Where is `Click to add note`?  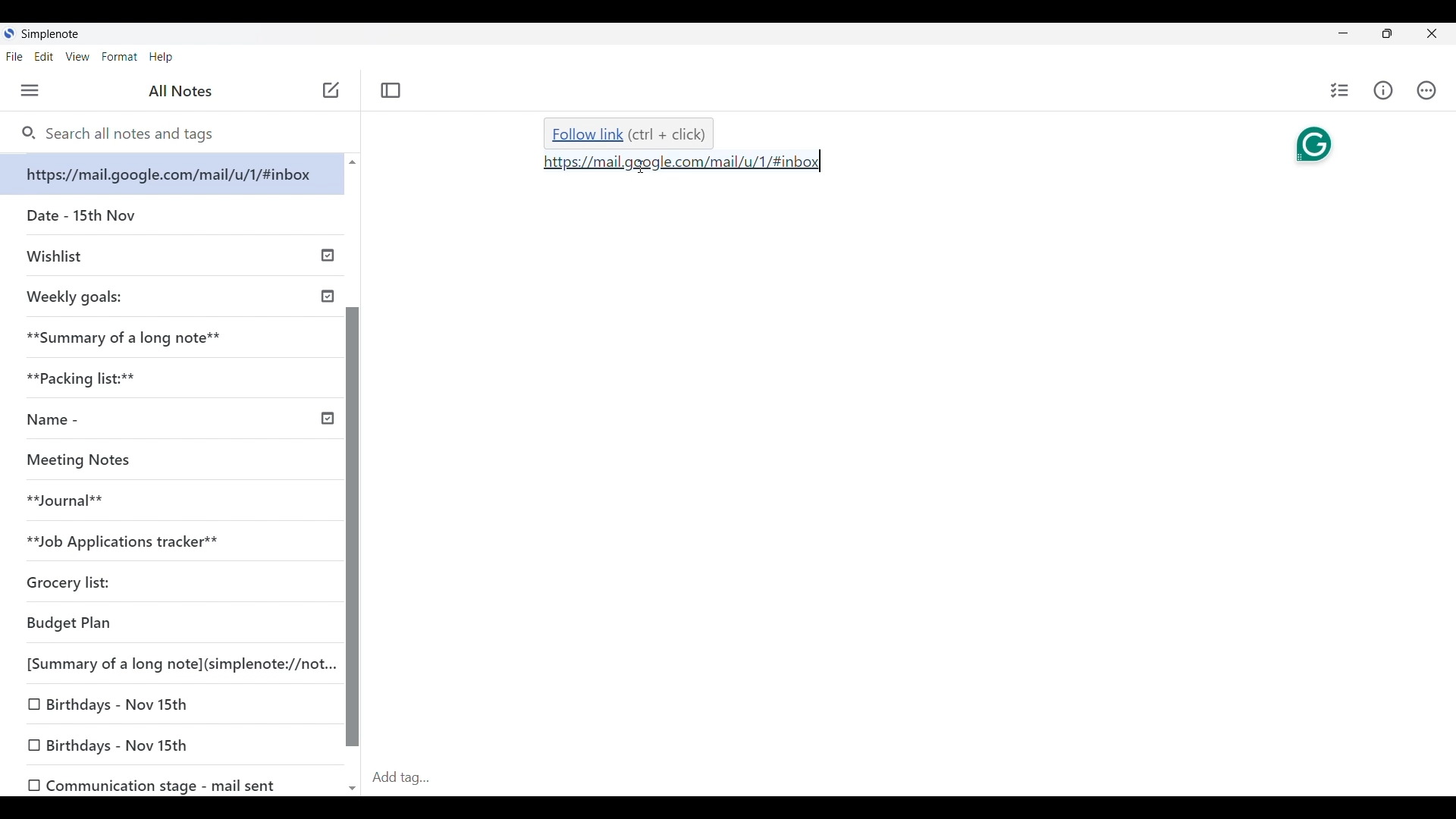 Click to add note is located at coordinates (332, 89).